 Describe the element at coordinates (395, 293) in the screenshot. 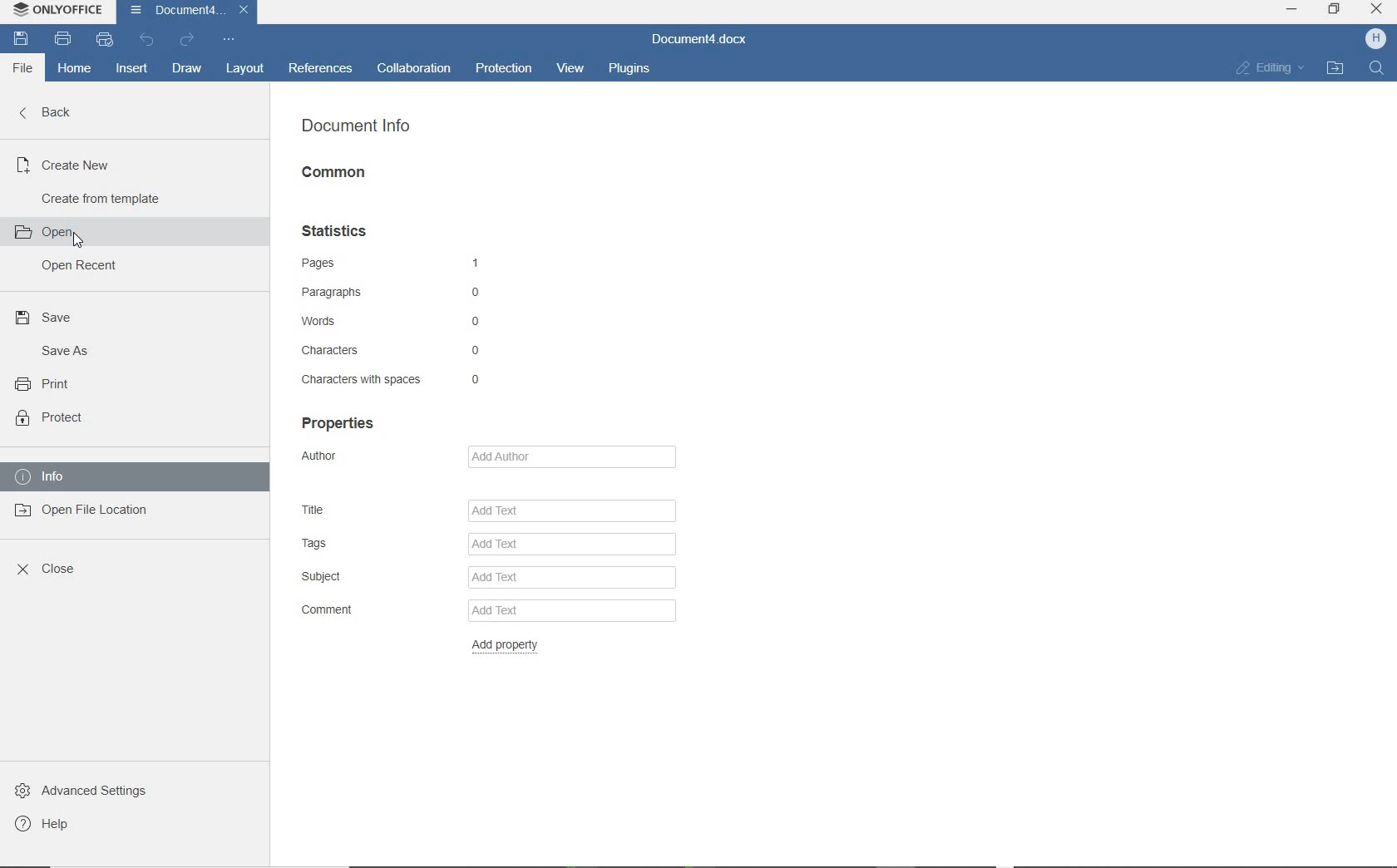

I see `paragraphs - 0` at that location.